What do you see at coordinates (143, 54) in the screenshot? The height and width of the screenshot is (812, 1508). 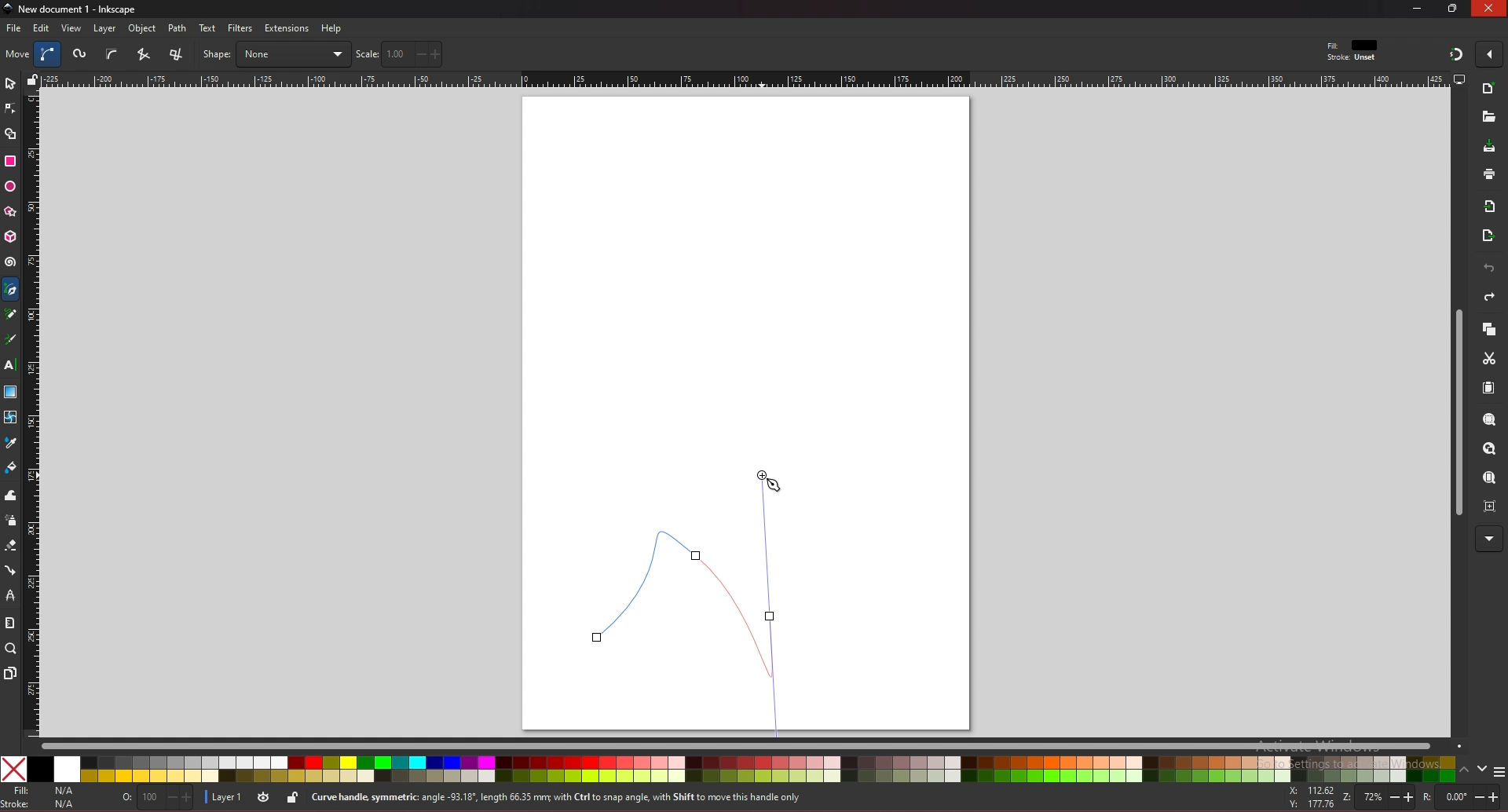 I see `squence of straight line segments` at bounding box center [143, 54].